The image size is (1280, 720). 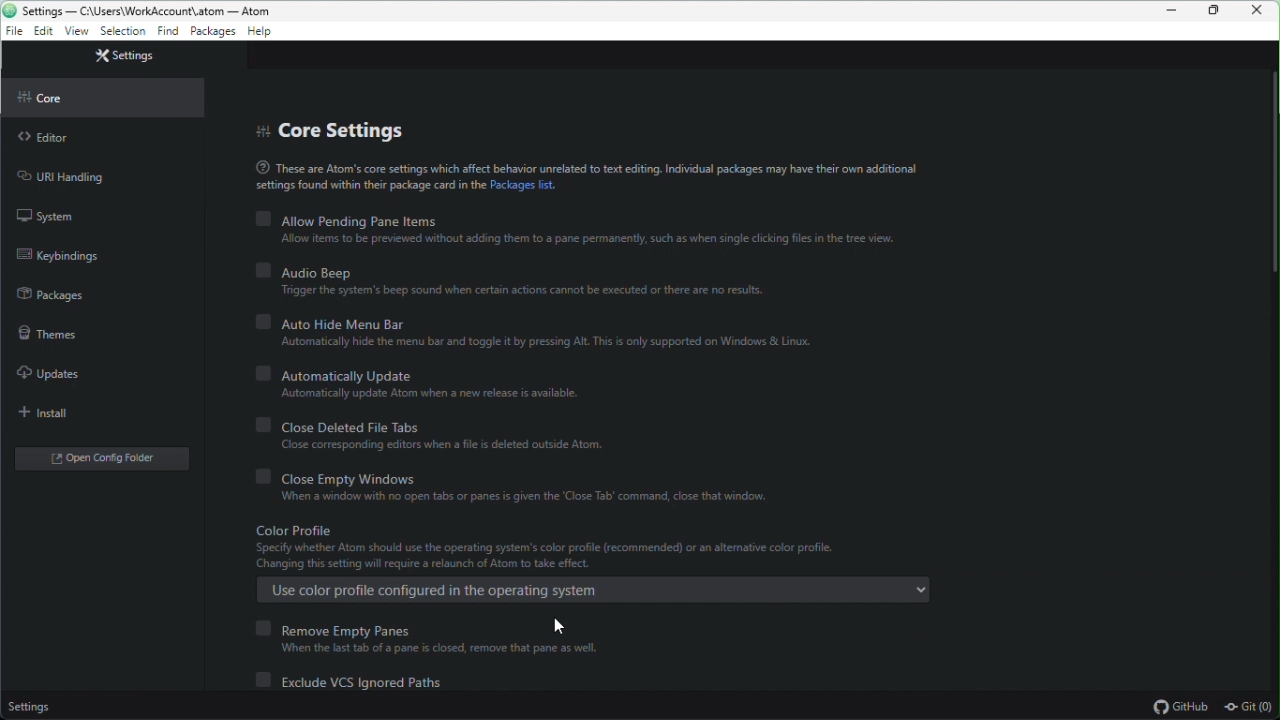 What do you see at coordinates (1217, 11) in the screenshot?
I see `Restore` at bounding box center [1217, 11].